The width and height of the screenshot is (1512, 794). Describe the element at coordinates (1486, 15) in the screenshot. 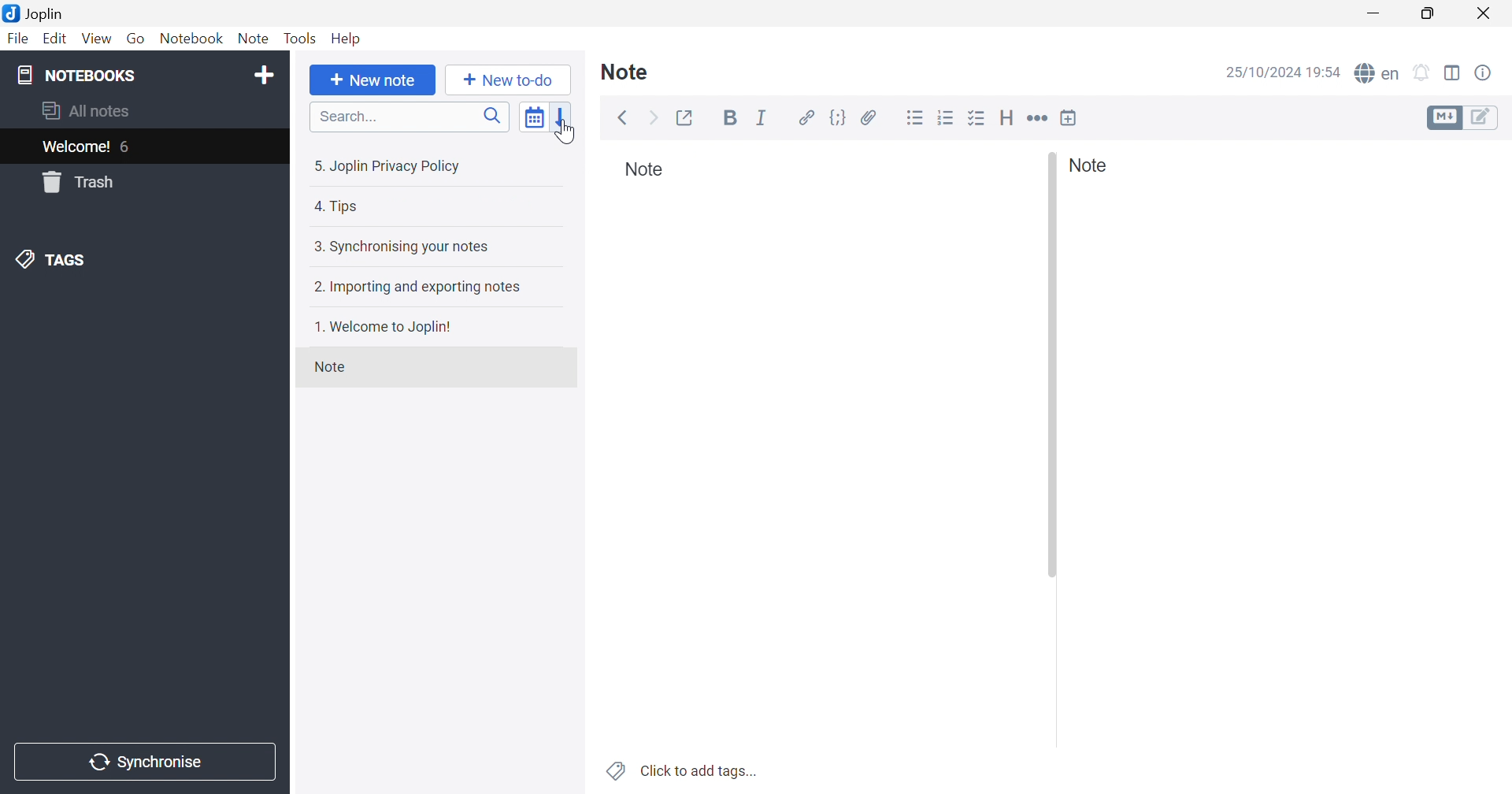

I see `Close` at that location.